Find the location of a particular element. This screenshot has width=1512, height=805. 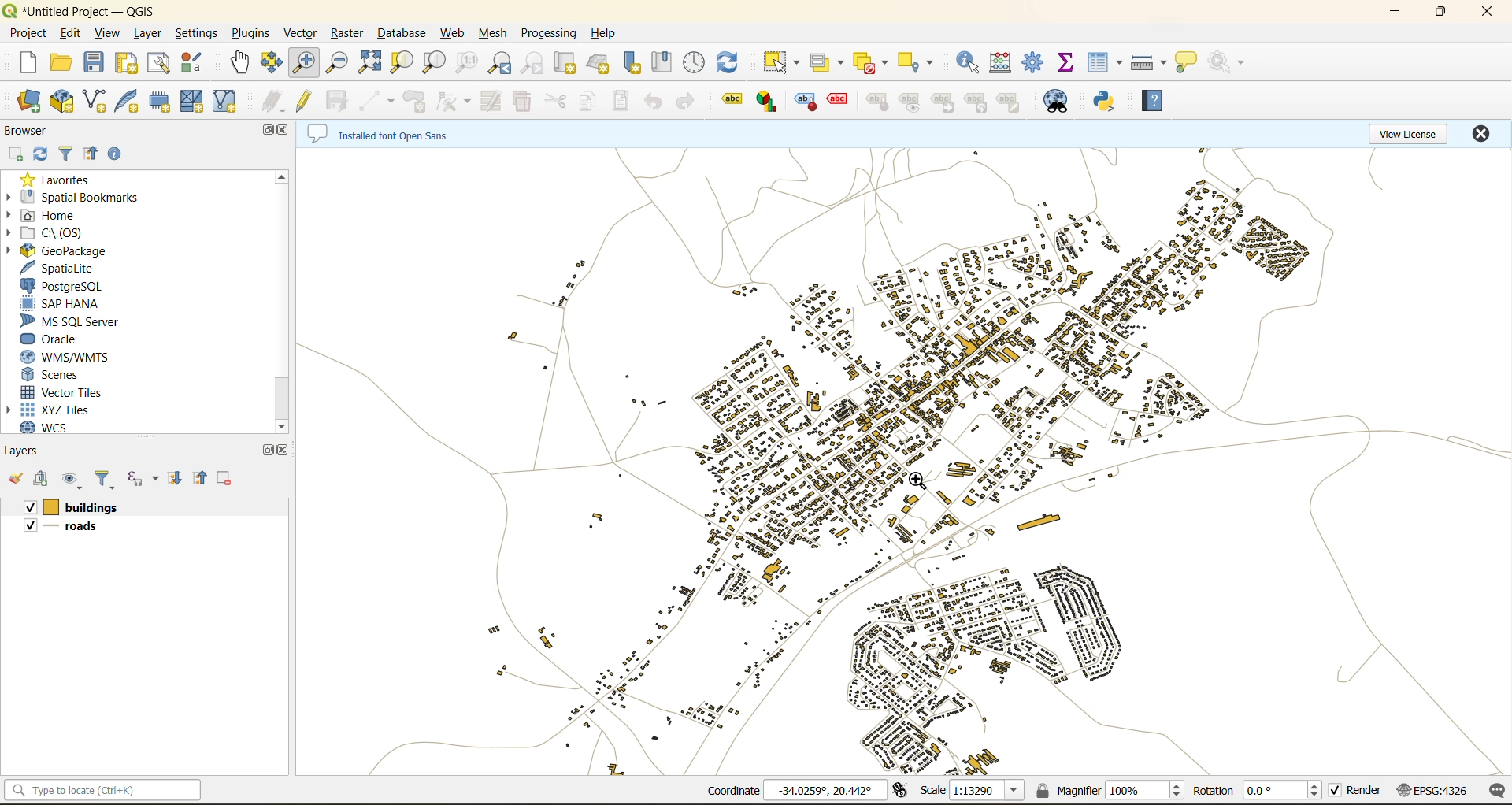

vector tiles is located at coordinates (64, 393).